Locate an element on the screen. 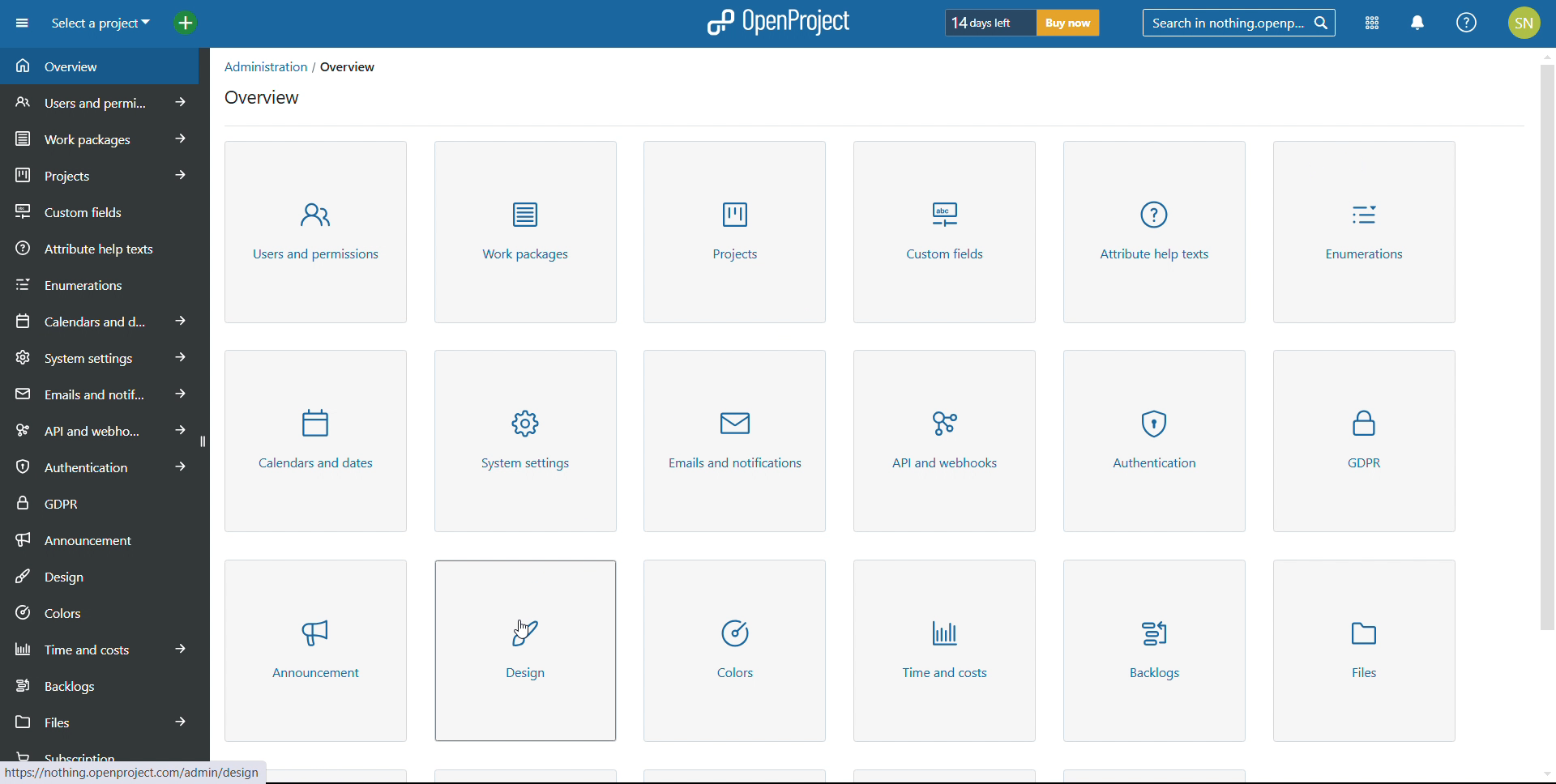 The width and height of the screenshot is (1556, 784). announcement is located at coordinates (316, 650).